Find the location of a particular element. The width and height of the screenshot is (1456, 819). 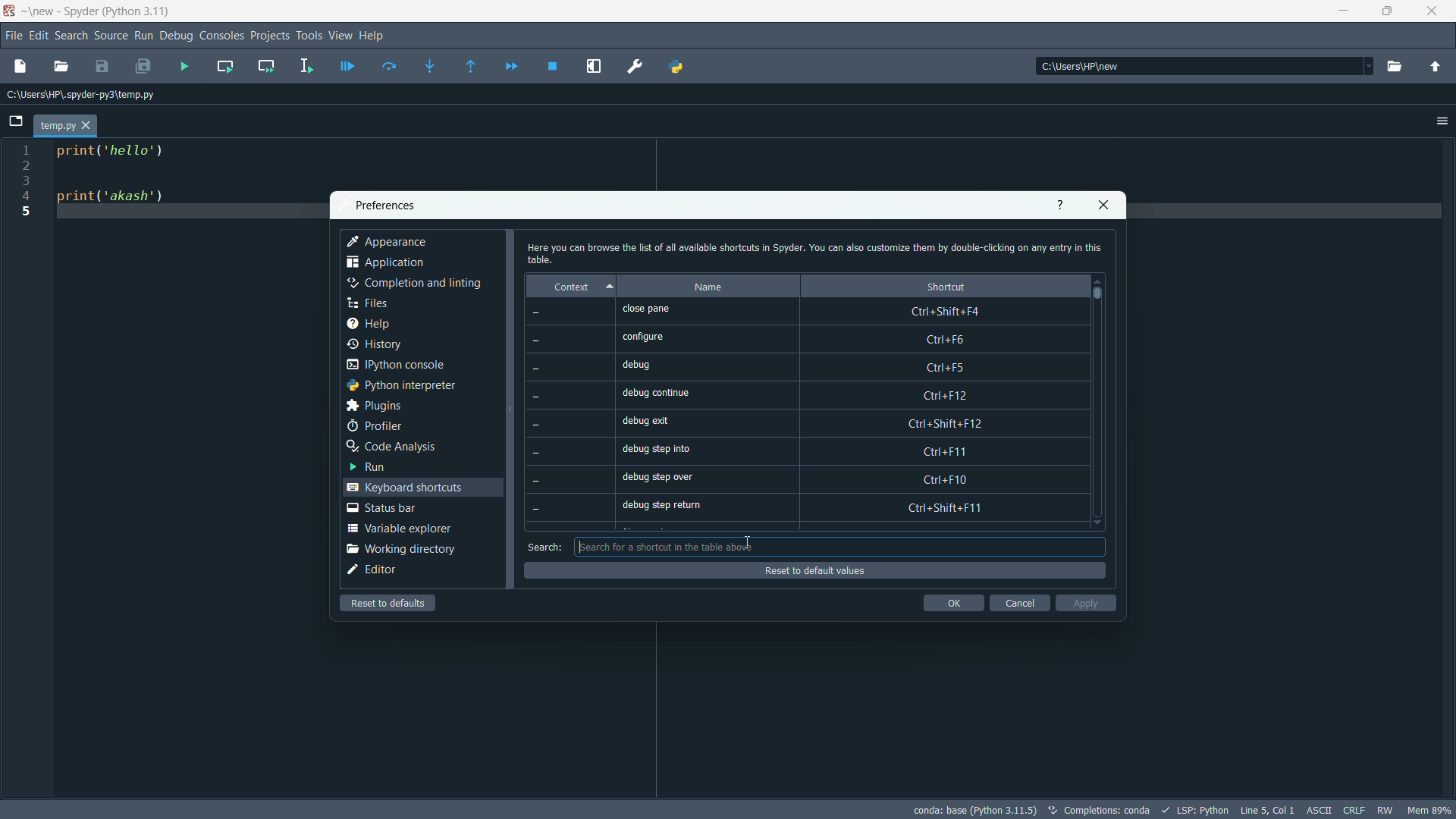

run current cell and go to next one is located at coordinates (266, 64).